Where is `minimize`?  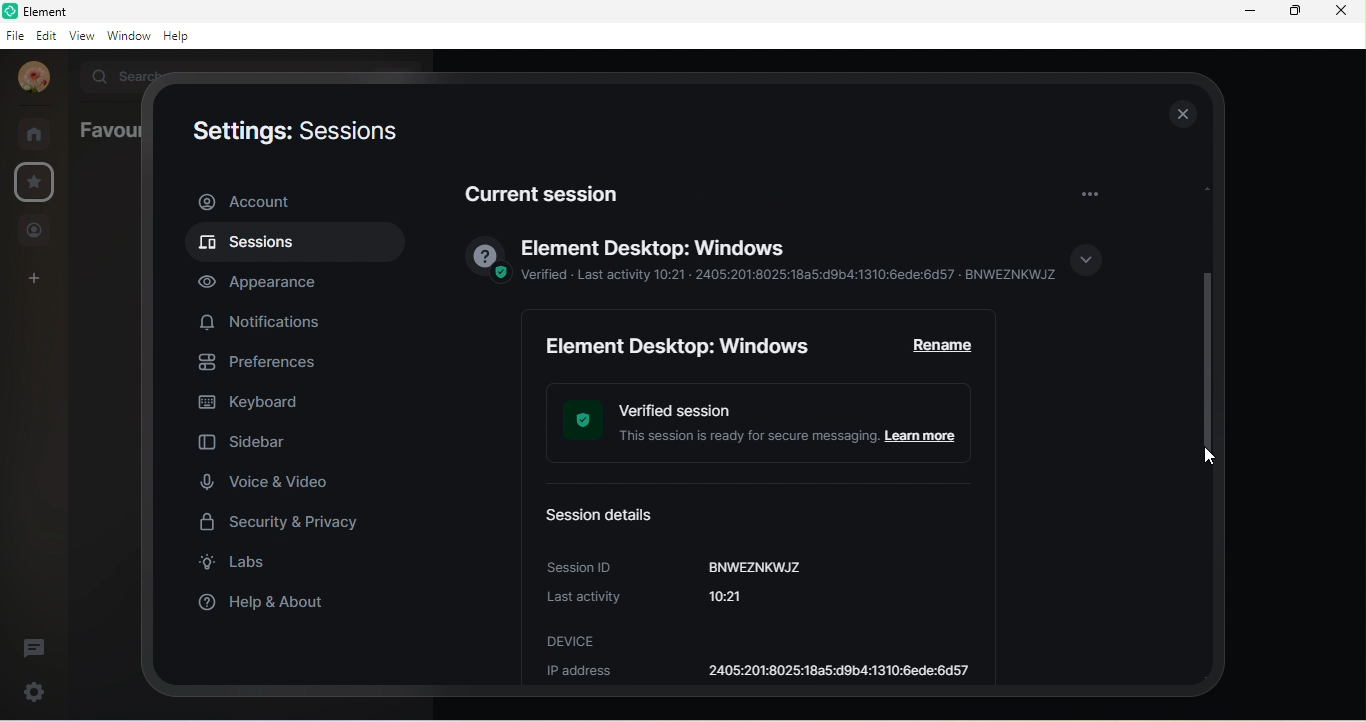
minimize is located at coordinates (1250, 11).